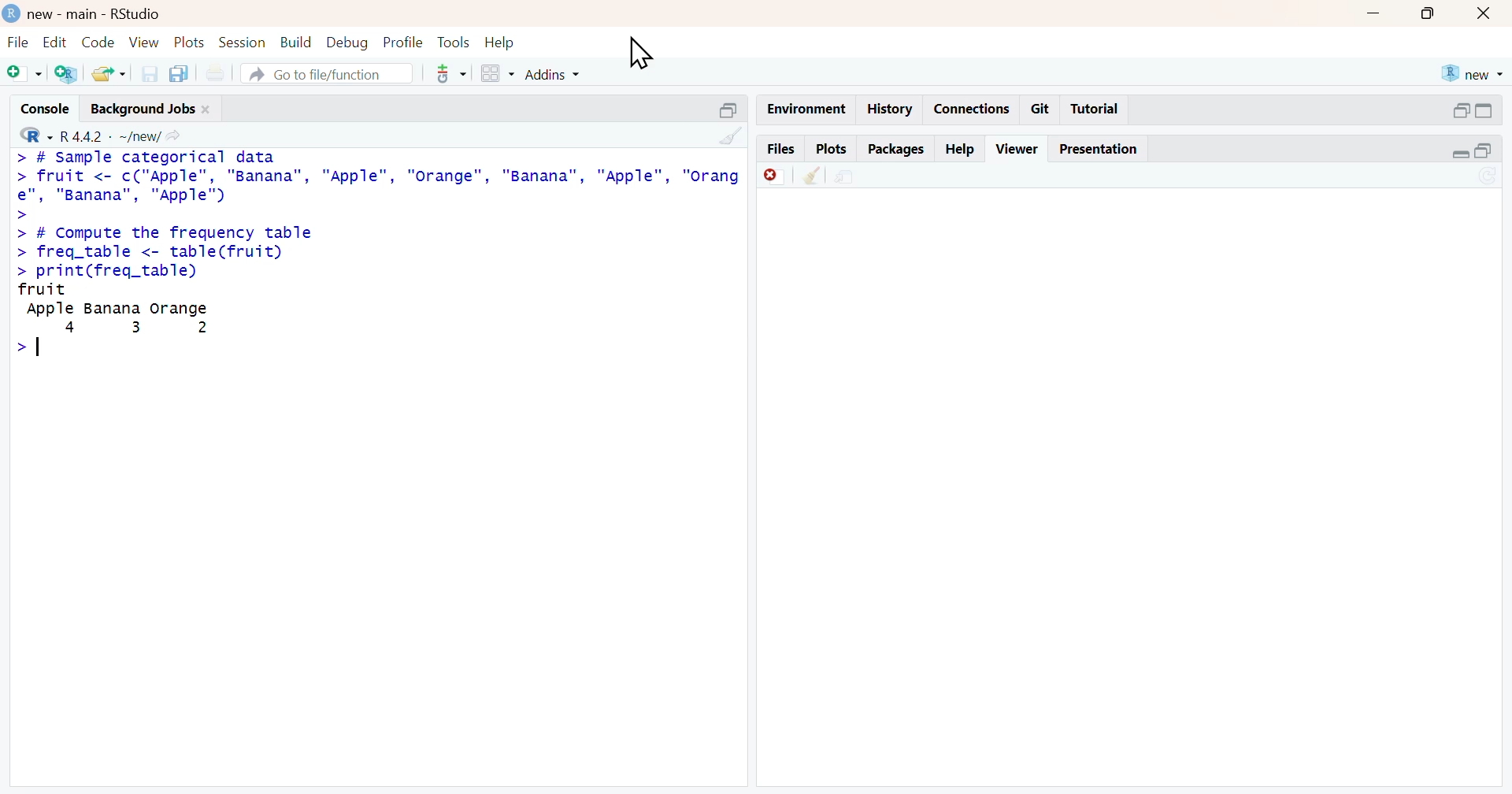  Describe the element at coordinates (181, 74) in the screenshot. I see `save all open documents` at that location.